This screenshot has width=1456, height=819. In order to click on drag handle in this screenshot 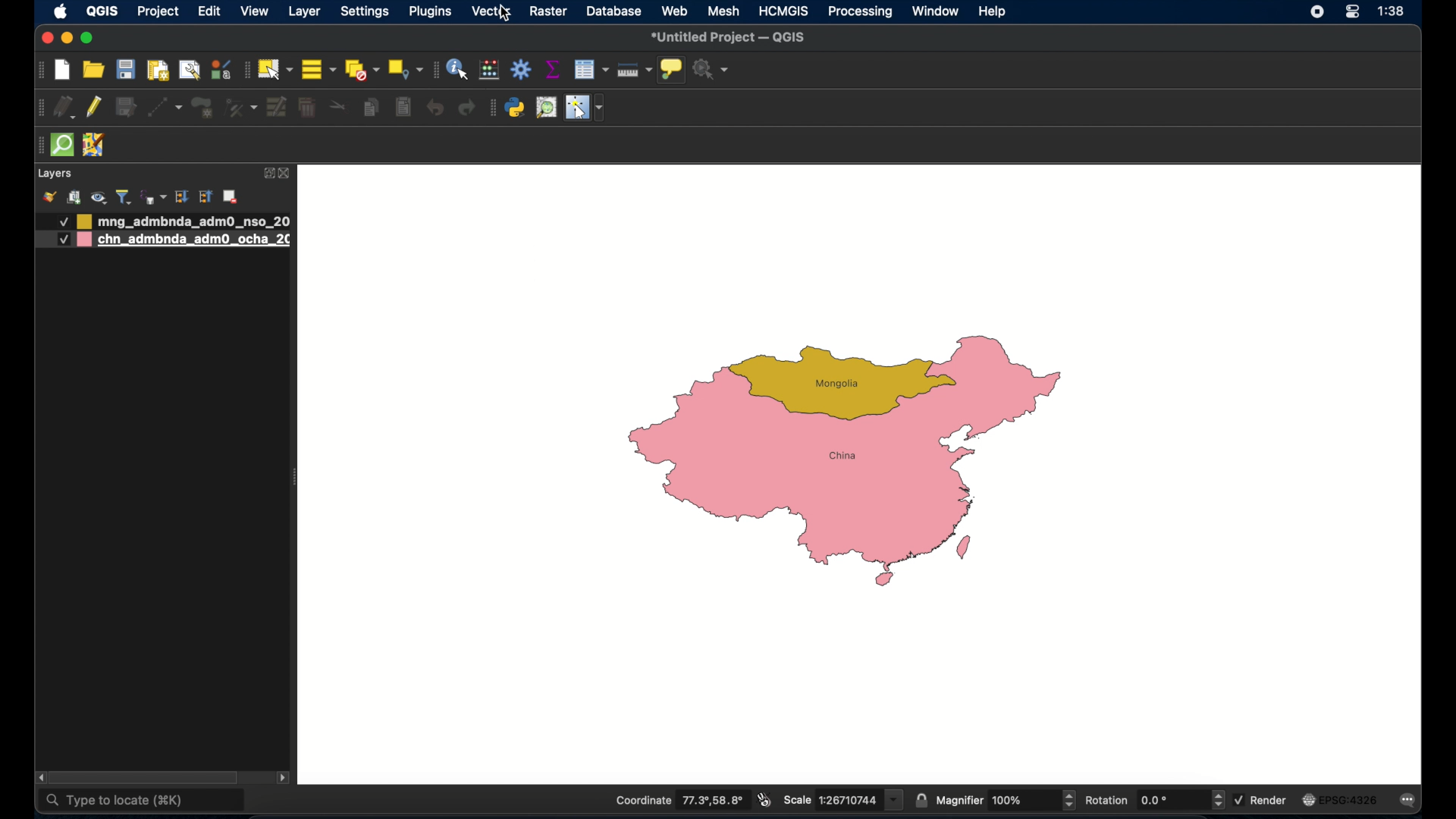, I will do `click(39, 144)`.